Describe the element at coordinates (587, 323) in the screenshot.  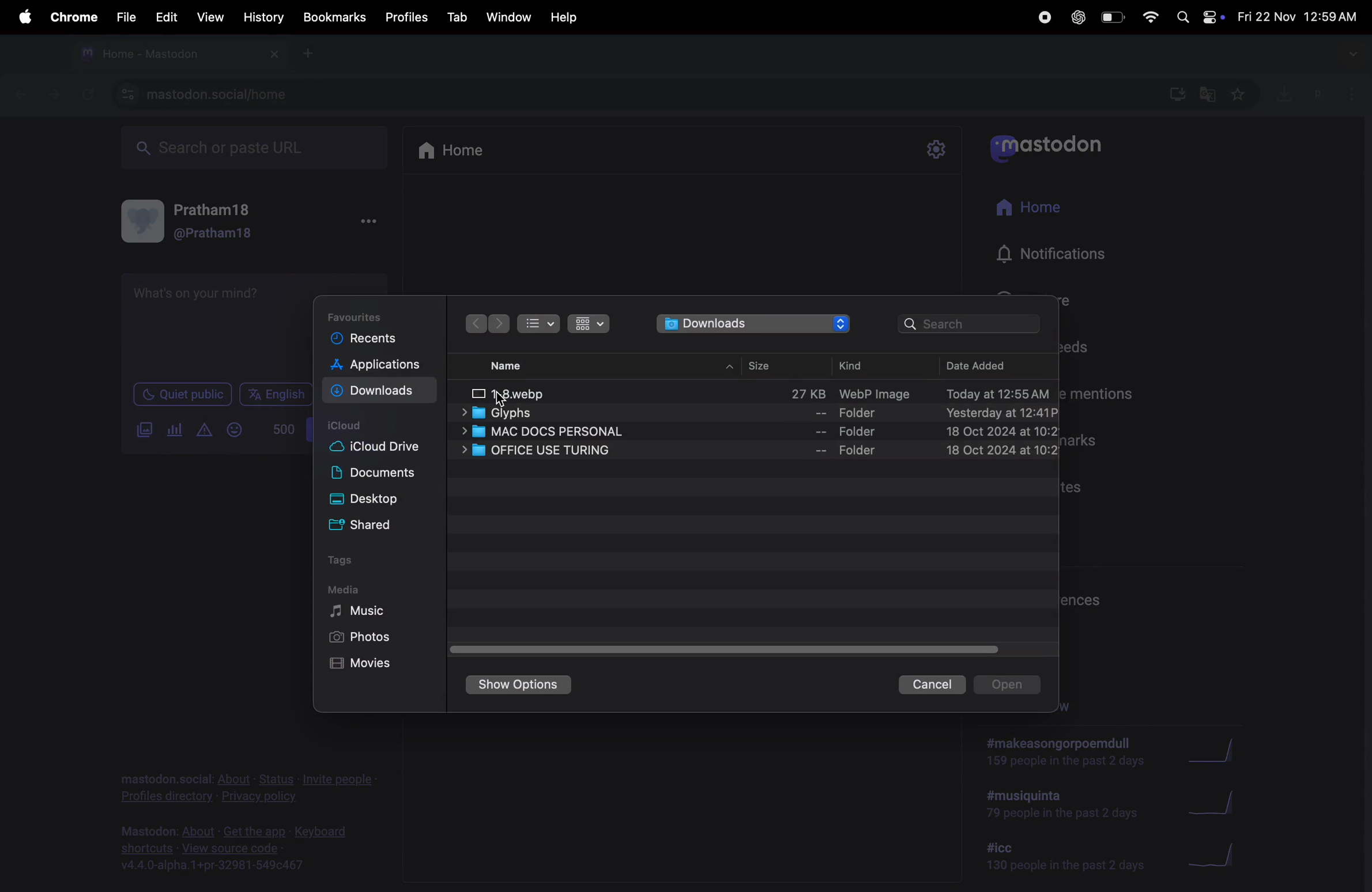
I see `box view` at that location.